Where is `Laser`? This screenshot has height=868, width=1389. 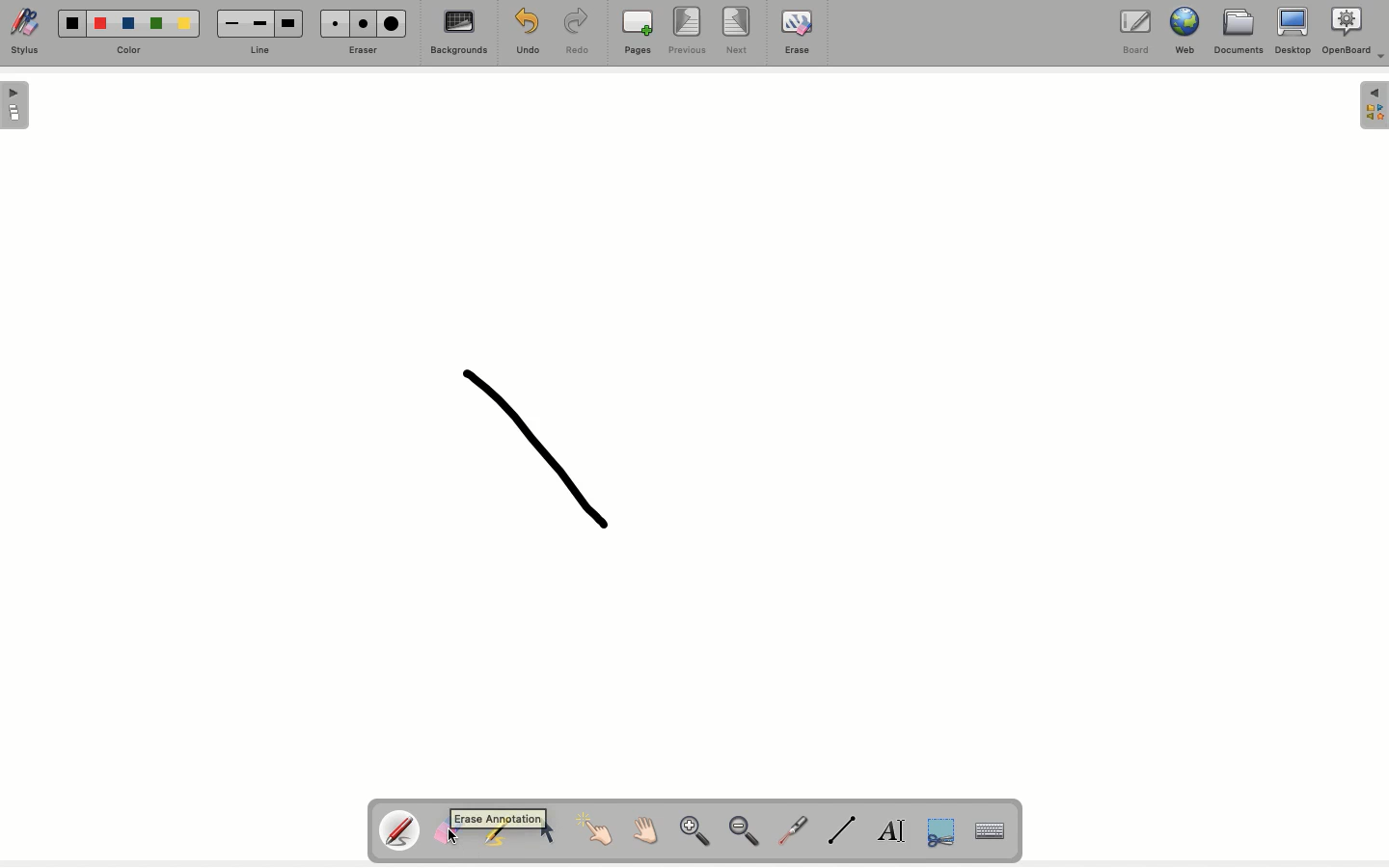 Laser is located at coordinates (795, 830).